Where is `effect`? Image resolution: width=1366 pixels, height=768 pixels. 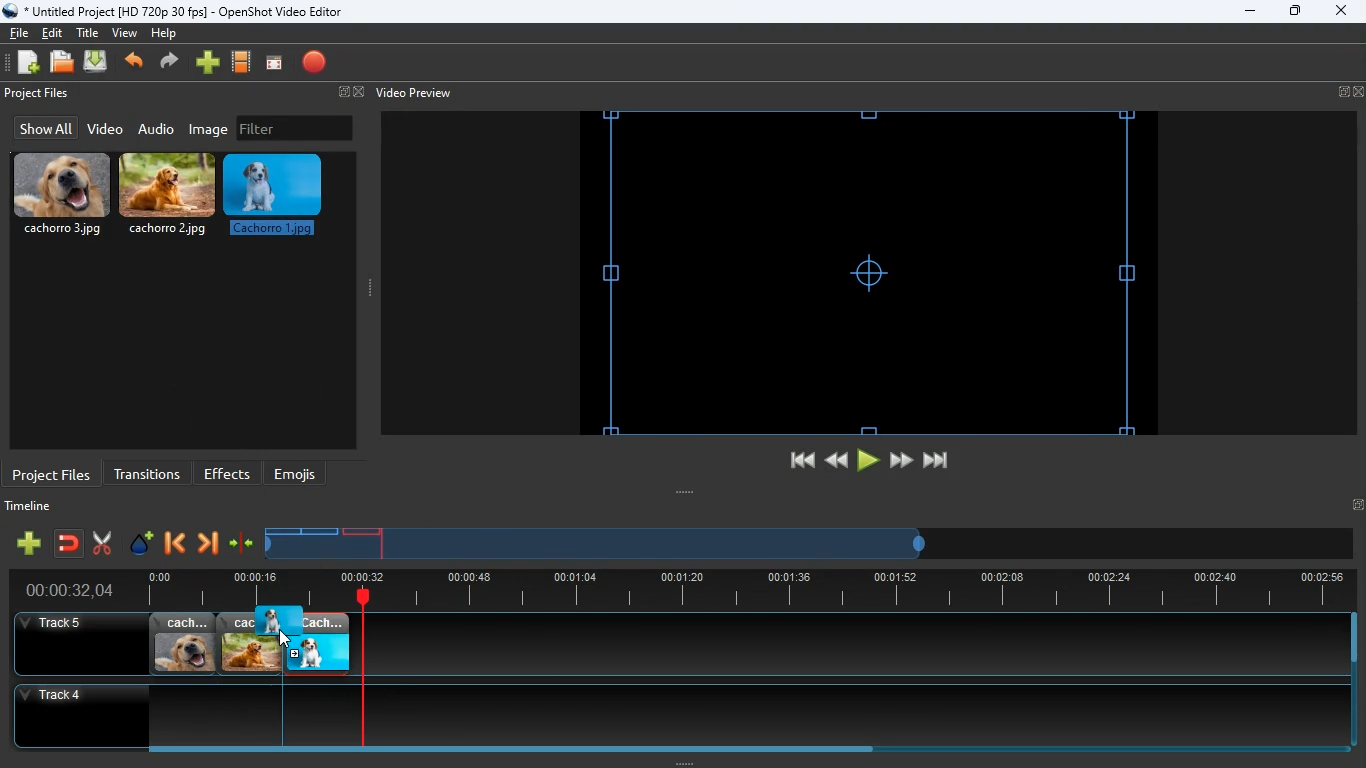
effect is located at coordinates (142, 545).